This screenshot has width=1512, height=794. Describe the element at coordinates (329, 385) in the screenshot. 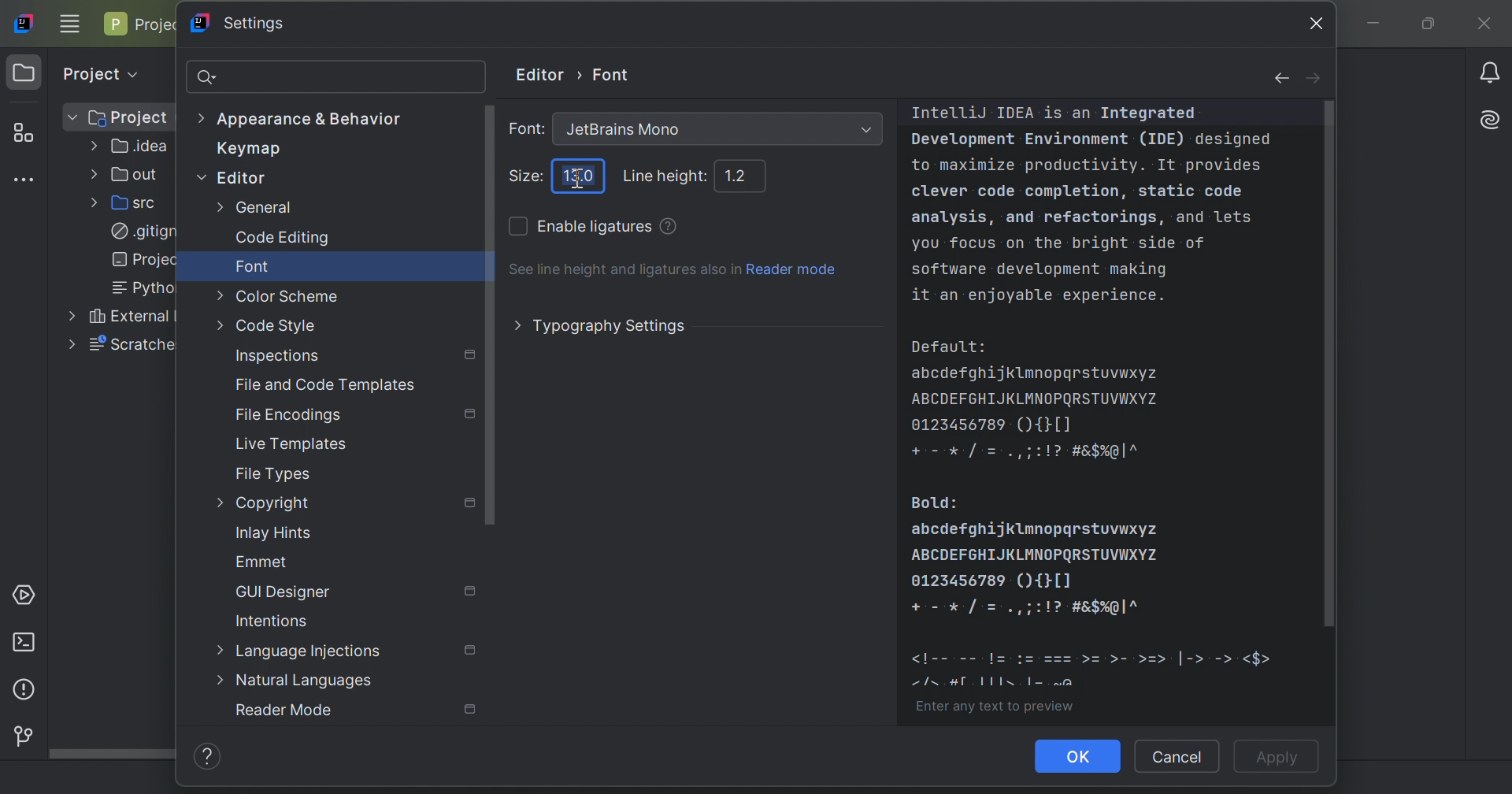

I see `File and Code Templates` at that location.